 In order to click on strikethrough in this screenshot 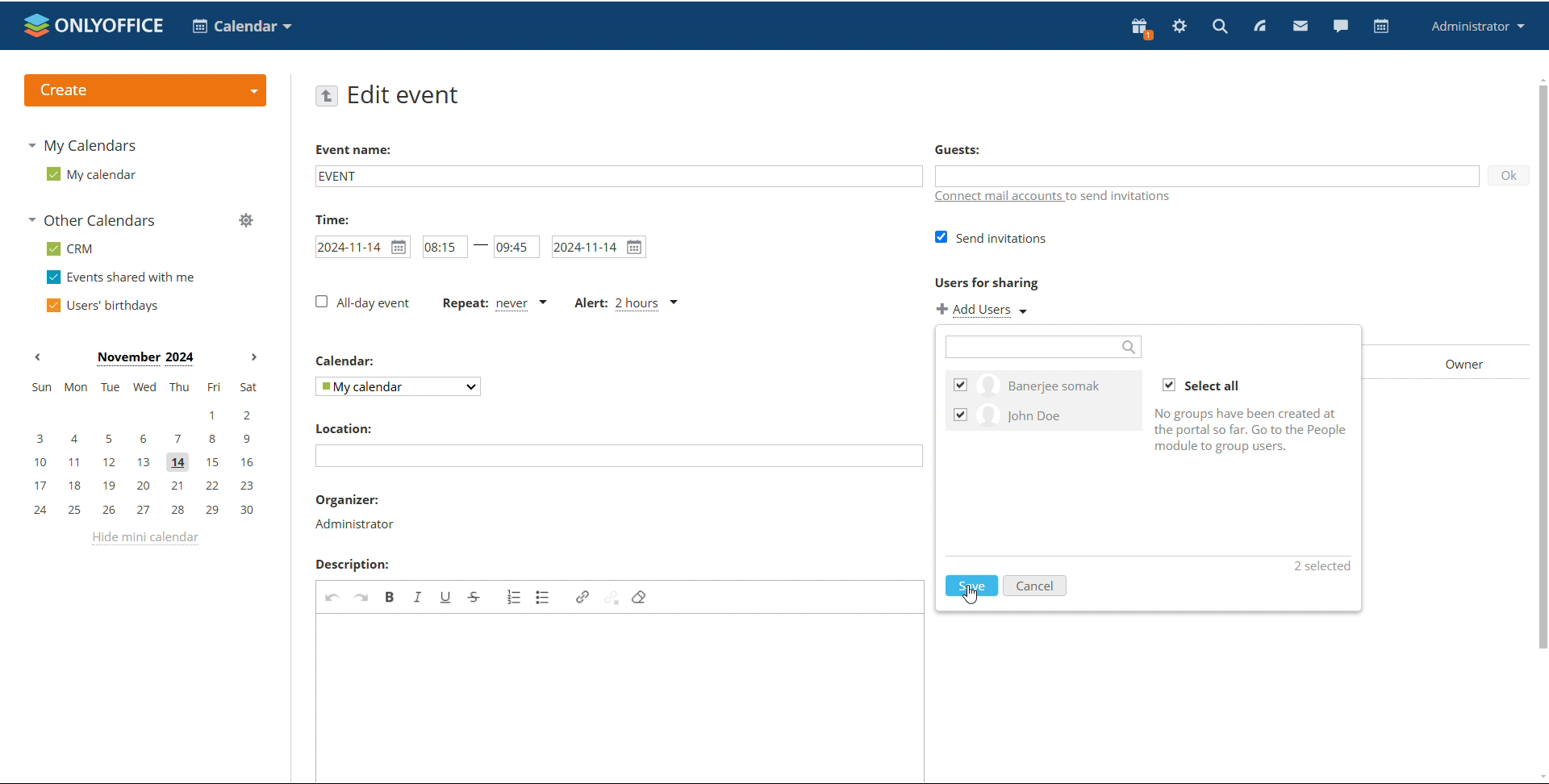, I will do `click(475, 596)`.